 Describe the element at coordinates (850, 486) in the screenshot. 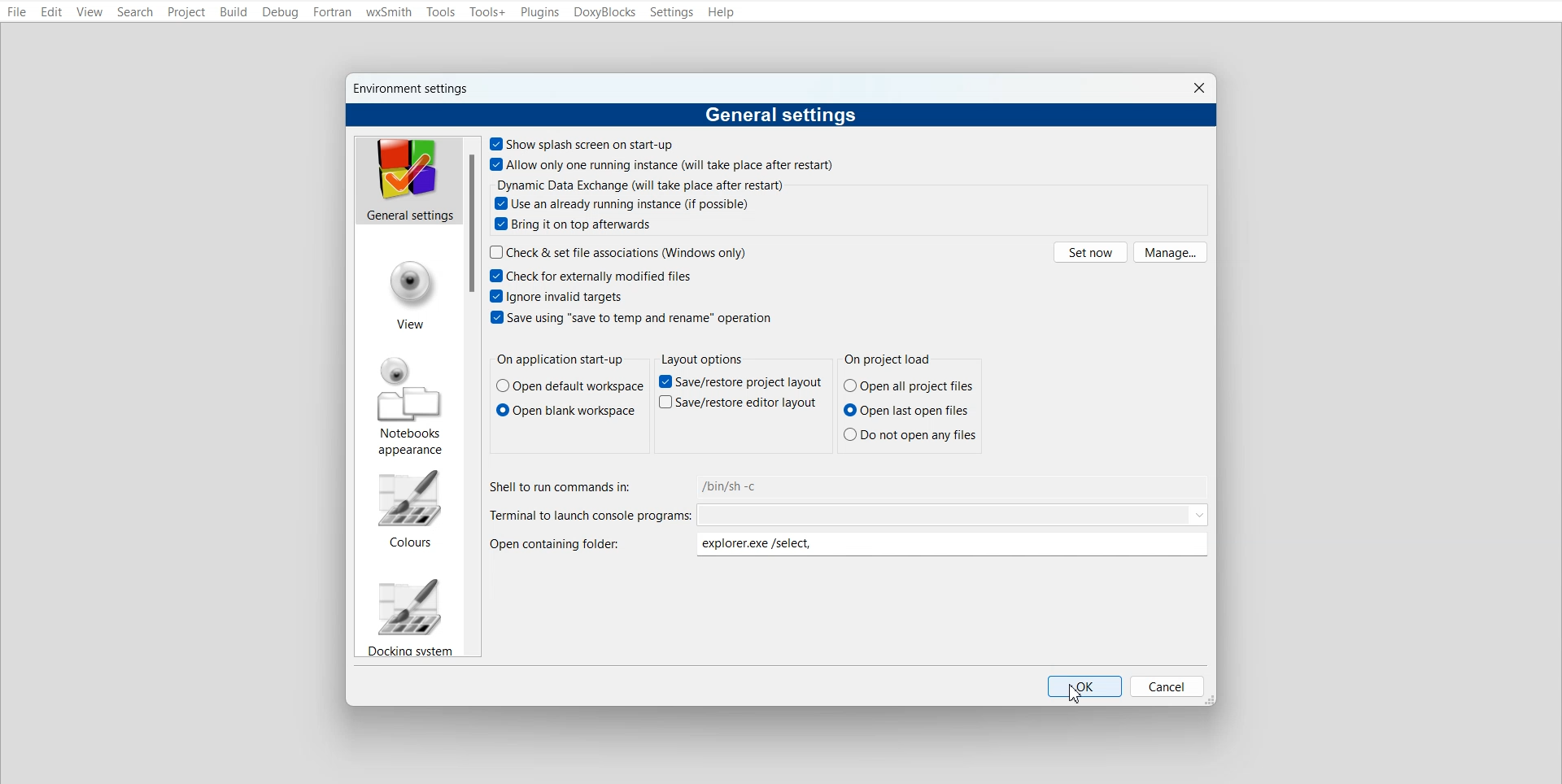

I see `Shell to run commands in` at that location.